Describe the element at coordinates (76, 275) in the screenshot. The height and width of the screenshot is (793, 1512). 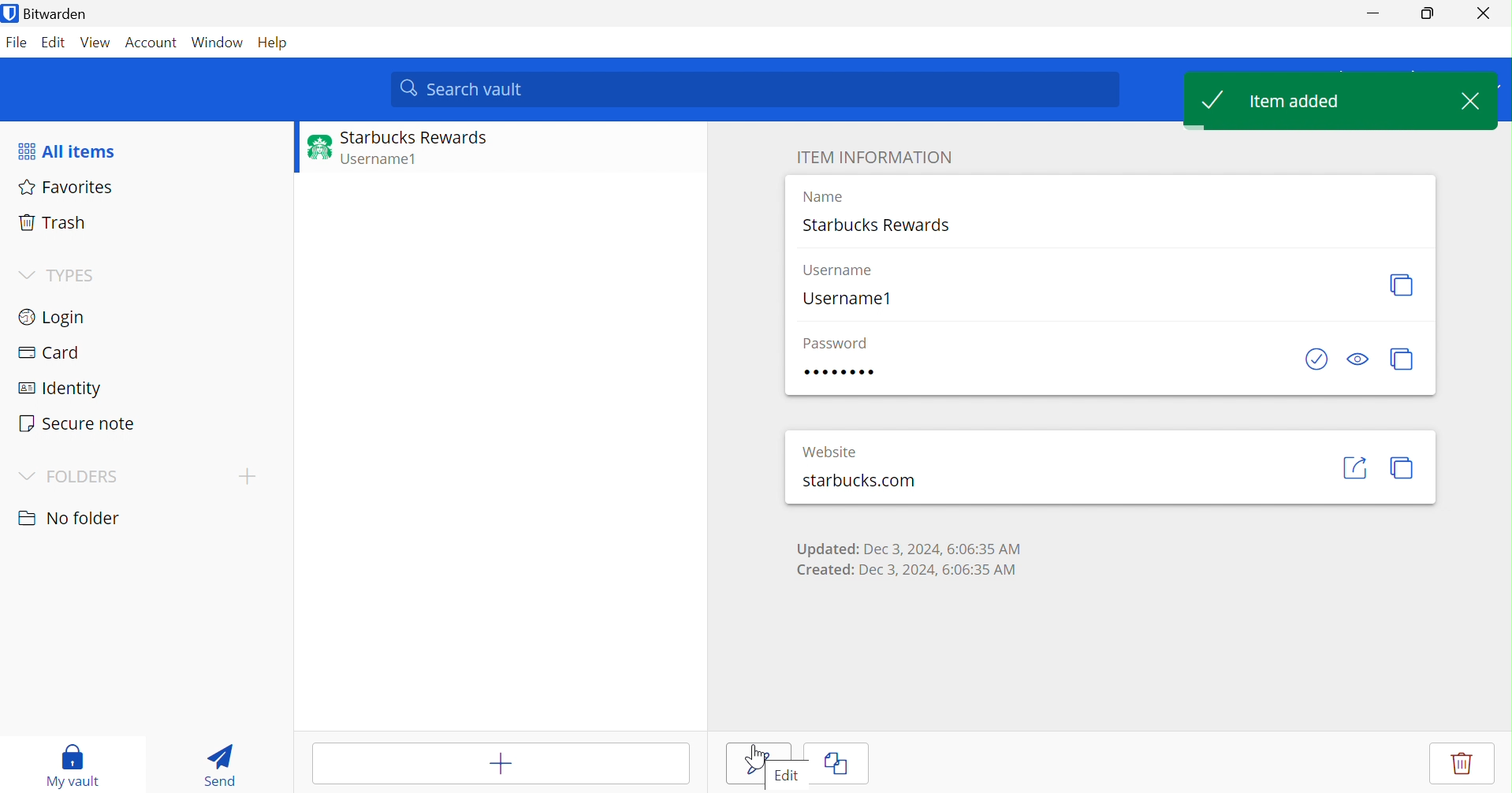
I see `TYPES` at that location.